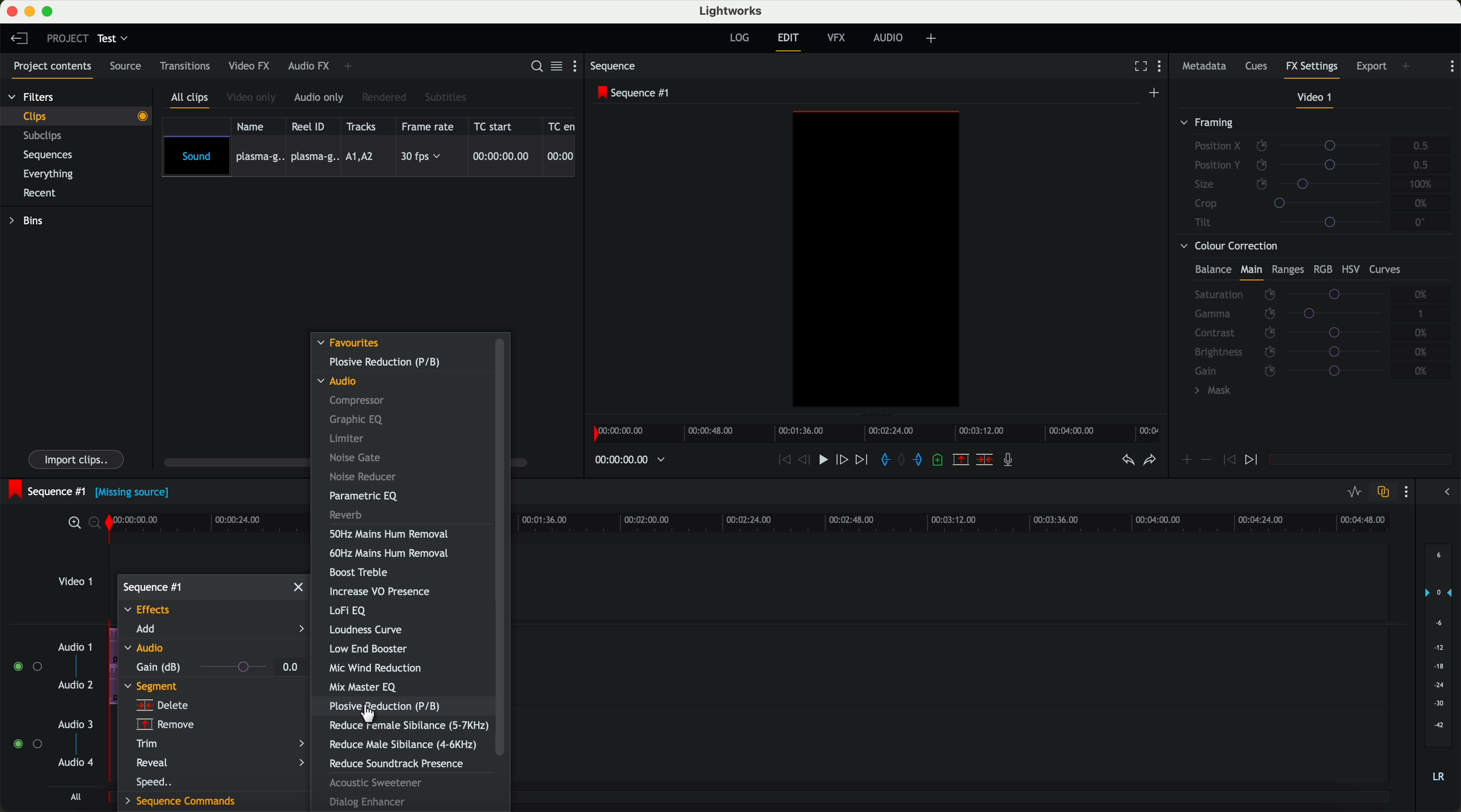 This screenshot has width=1461, height=812. I want to click on timeline, so click(880, 433).